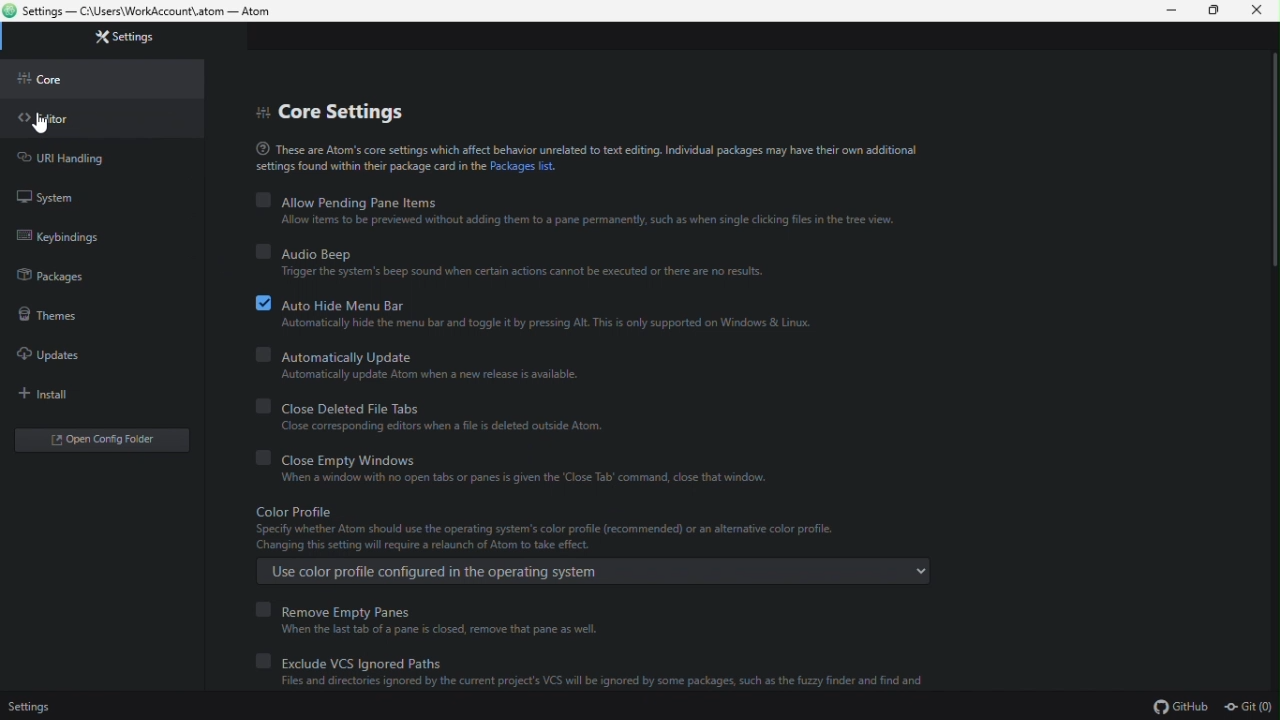  What do you see at coordinates (441, 632) in the screenshot?
I see `When the last tab of a pane is closed, remove that pane as well.` at bounding box center [441, 632].